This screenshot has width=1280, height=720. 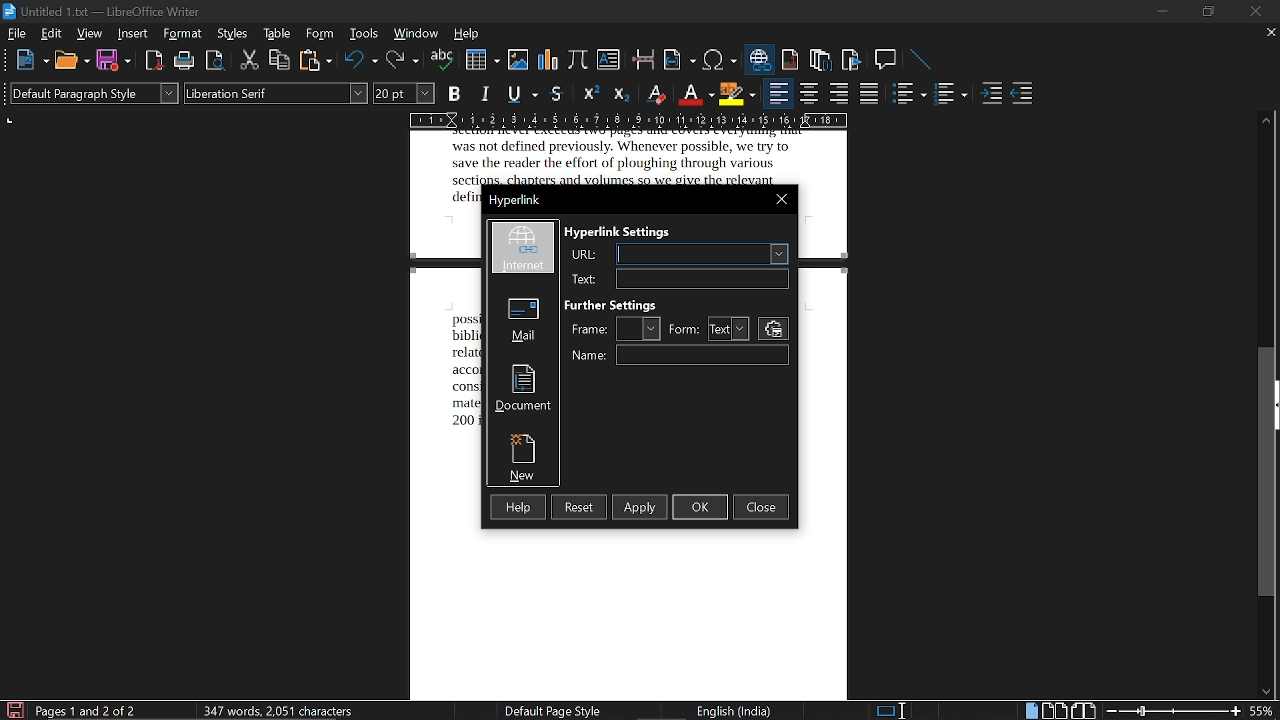 What do you see at coordinates (416, 33) in the screenshot?
I see `window` at bounding box center [416, 33].